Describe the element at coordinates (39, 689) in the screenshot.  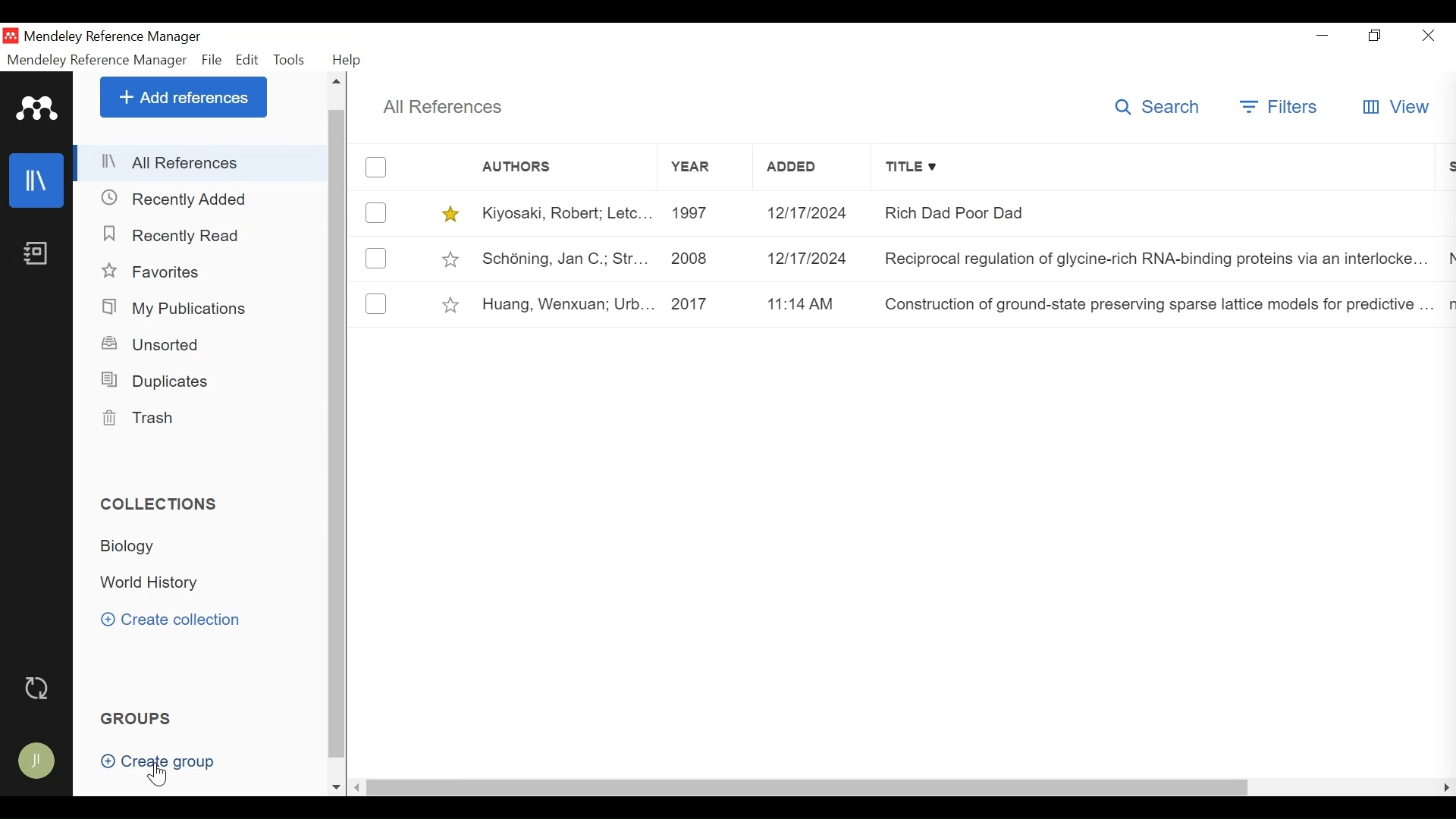
I see `Sync` at that location.